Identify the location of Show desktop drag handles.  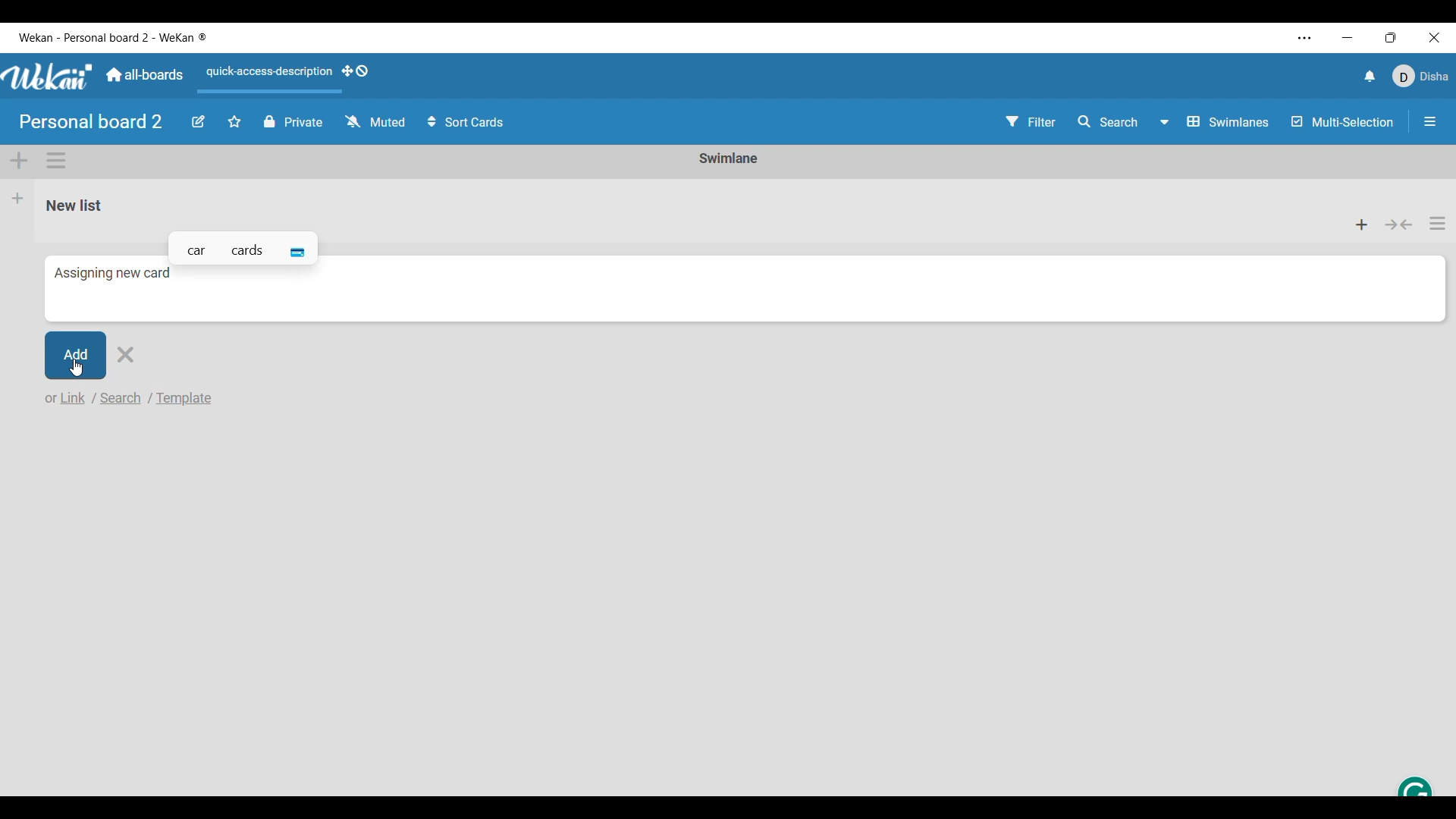
(356, 71).